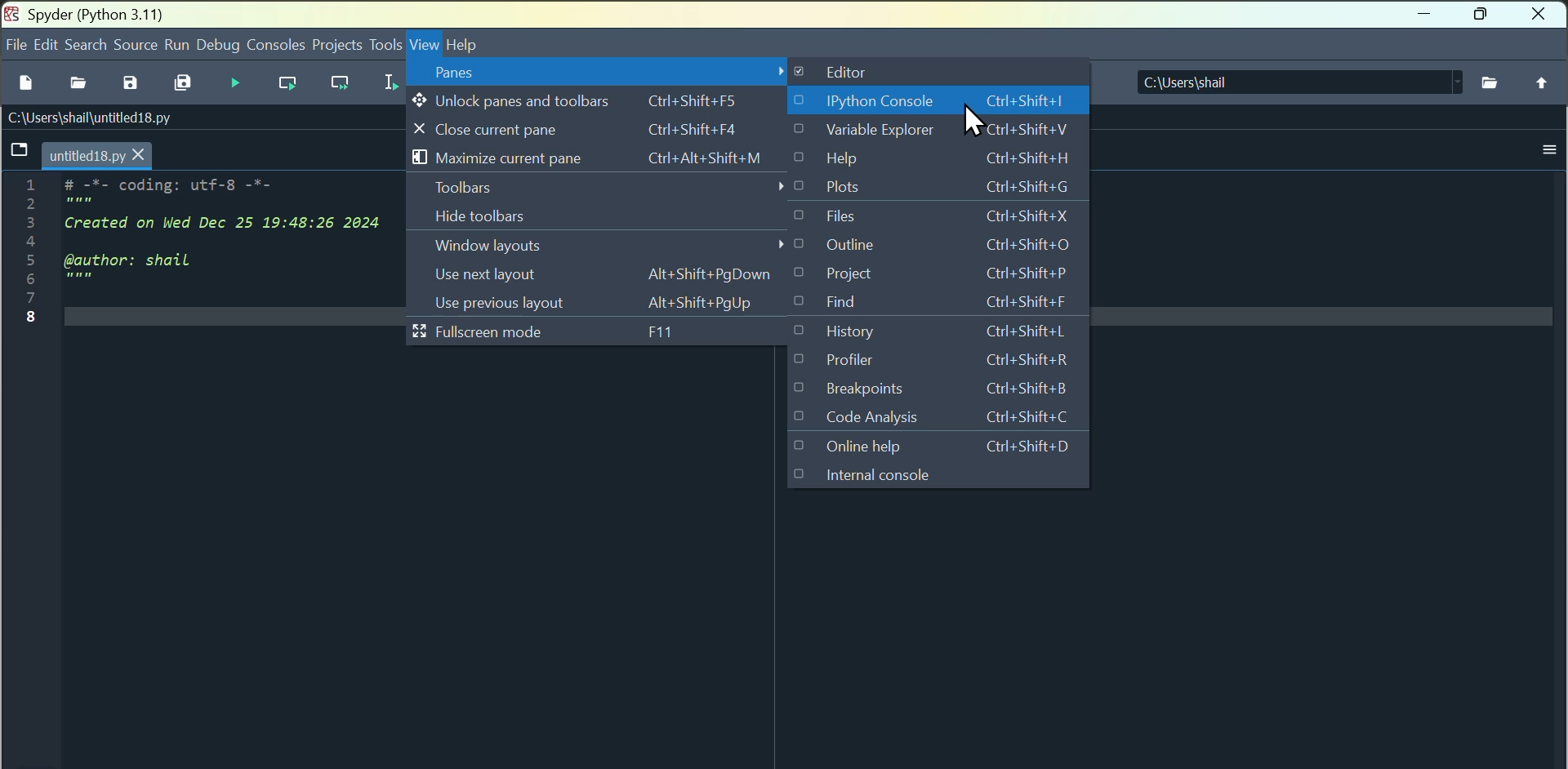 The height and width of the screenshot is (769, 1568). I want to click on change to parent folder, so click(1539, 82).